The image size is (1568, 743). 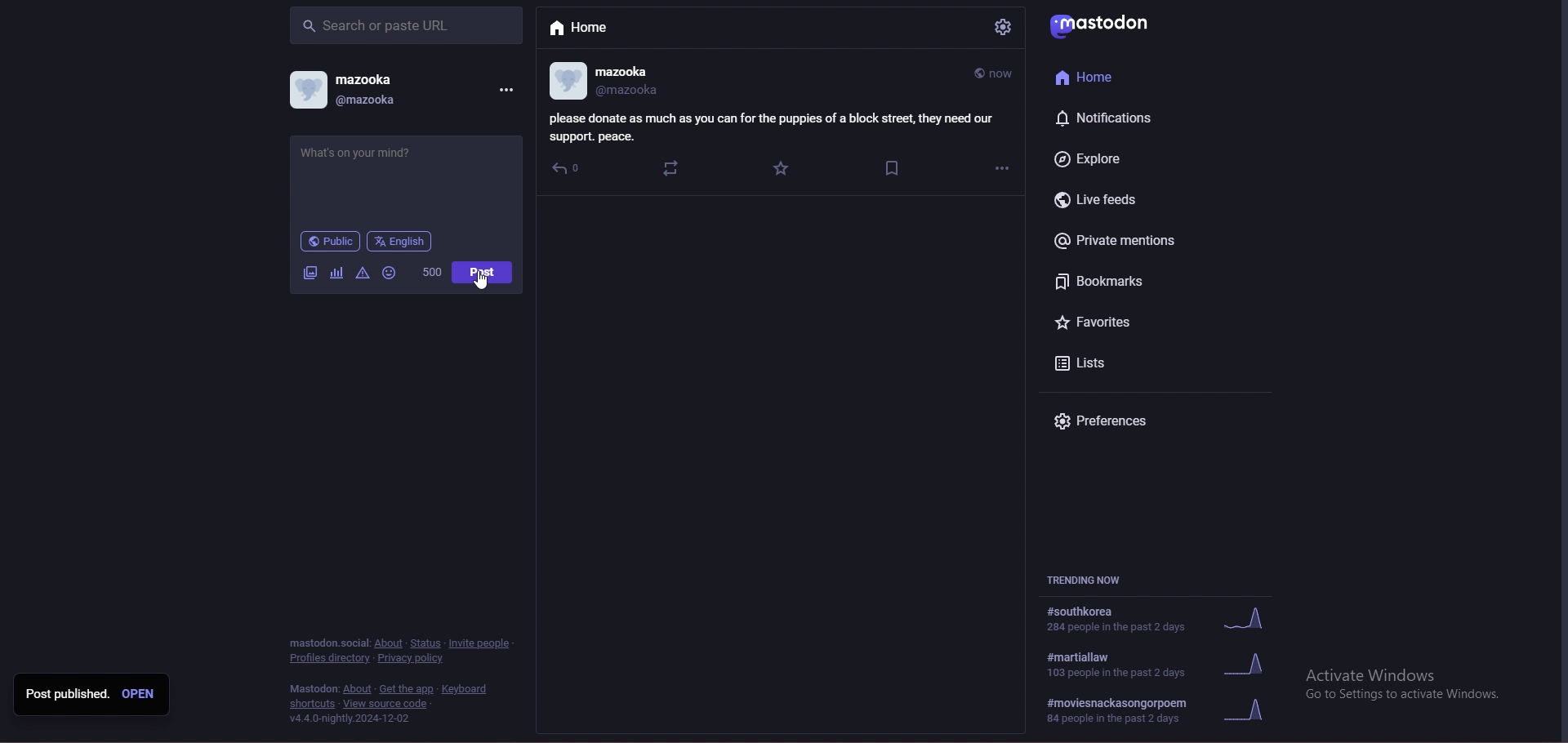 I want to click on post, so click(x=483, y=272).